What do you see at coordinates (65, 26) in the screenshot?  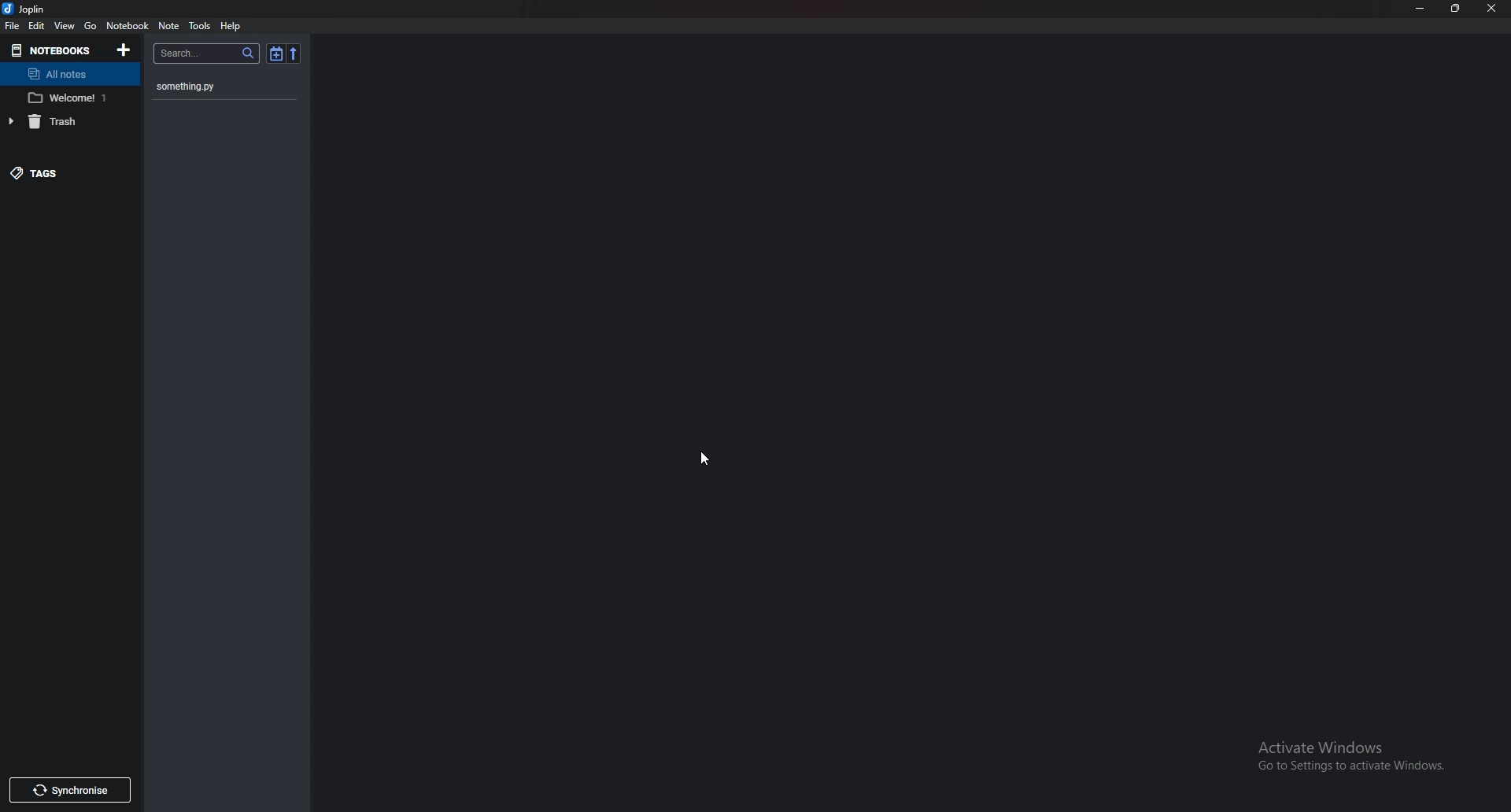 I see `View` at bounding box center [65, 26].